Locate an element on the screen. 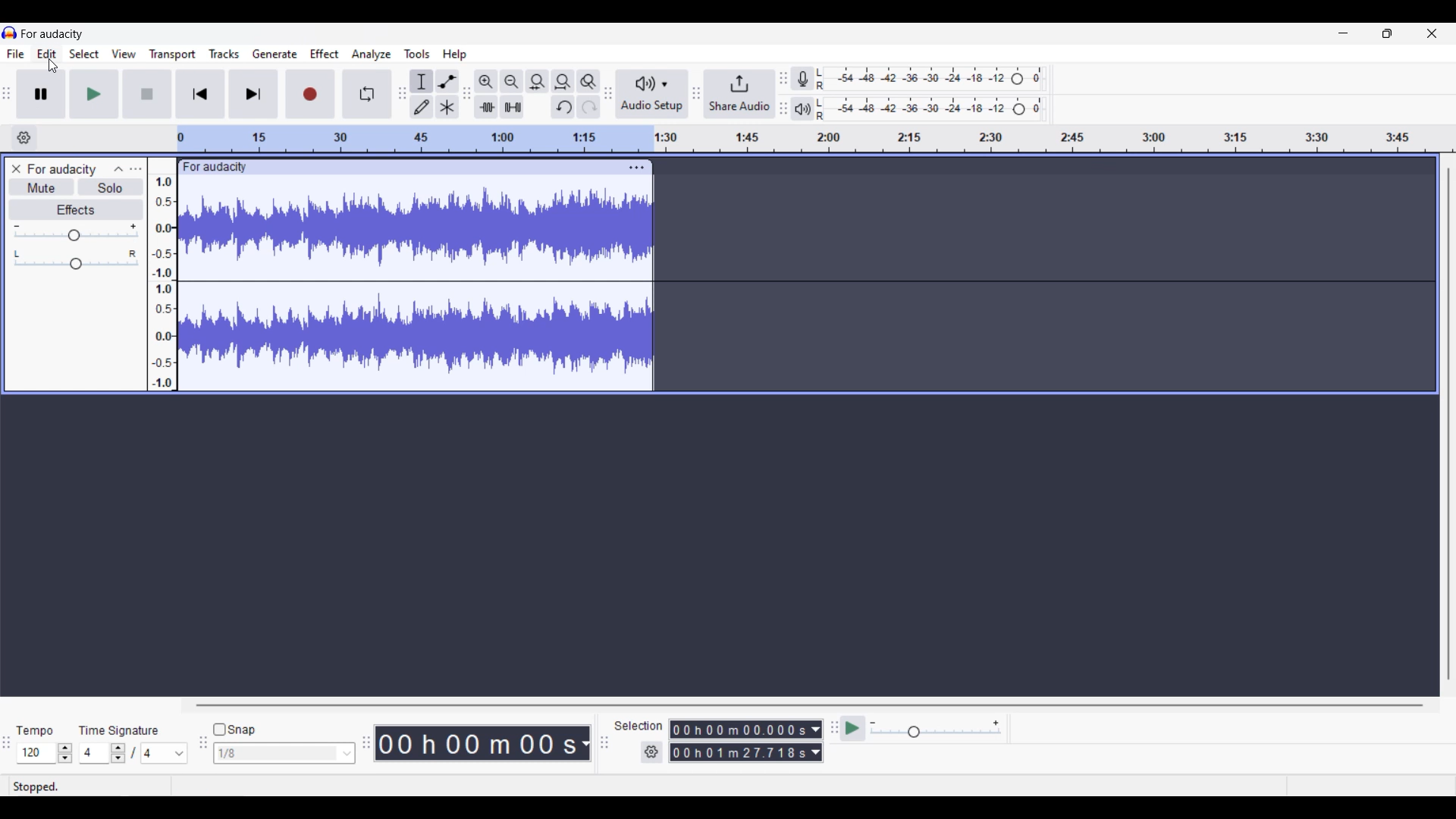 This screenshot has height=819, width=1456. click to move is located at coordinates (438, 165).